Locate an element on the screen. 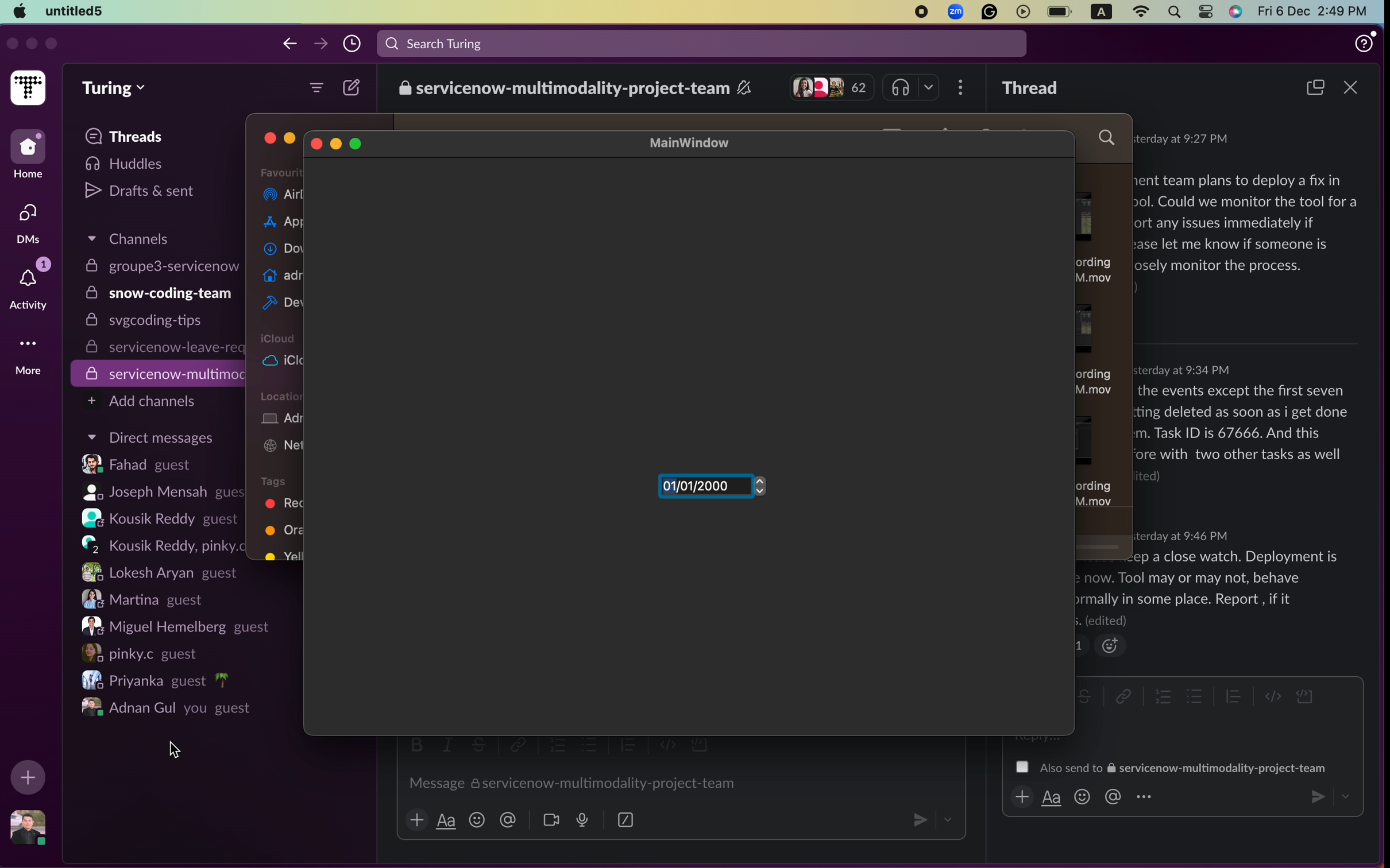 The image size is (1390, 868). record is located at coordinates (920, 12).